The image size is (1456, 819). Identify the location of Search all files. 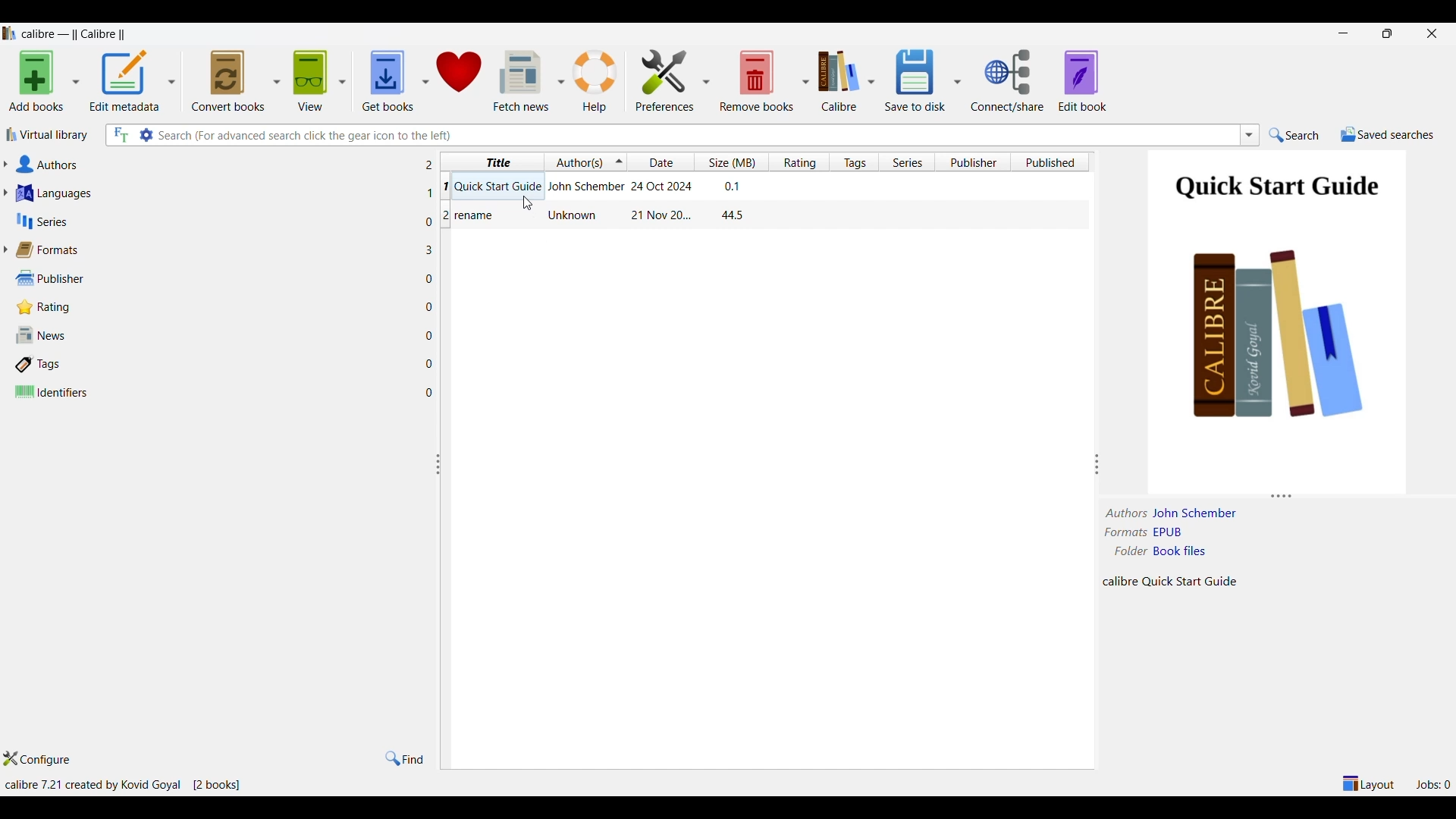
(120, 135).